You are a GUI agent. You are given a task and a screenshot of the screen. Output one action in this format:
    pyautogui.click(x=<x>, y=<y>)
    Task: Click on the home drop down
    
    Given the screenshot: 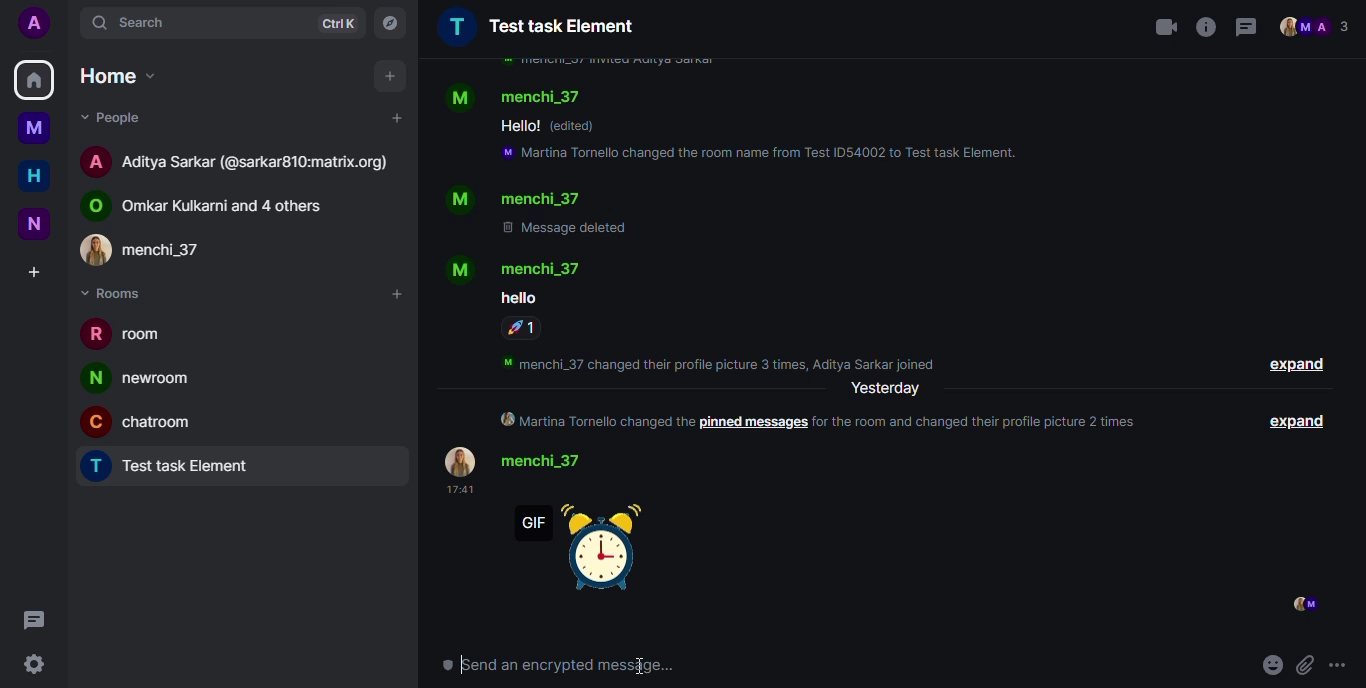 What is the action you would take?
    pyautogui.click(x=122, y=77)
    